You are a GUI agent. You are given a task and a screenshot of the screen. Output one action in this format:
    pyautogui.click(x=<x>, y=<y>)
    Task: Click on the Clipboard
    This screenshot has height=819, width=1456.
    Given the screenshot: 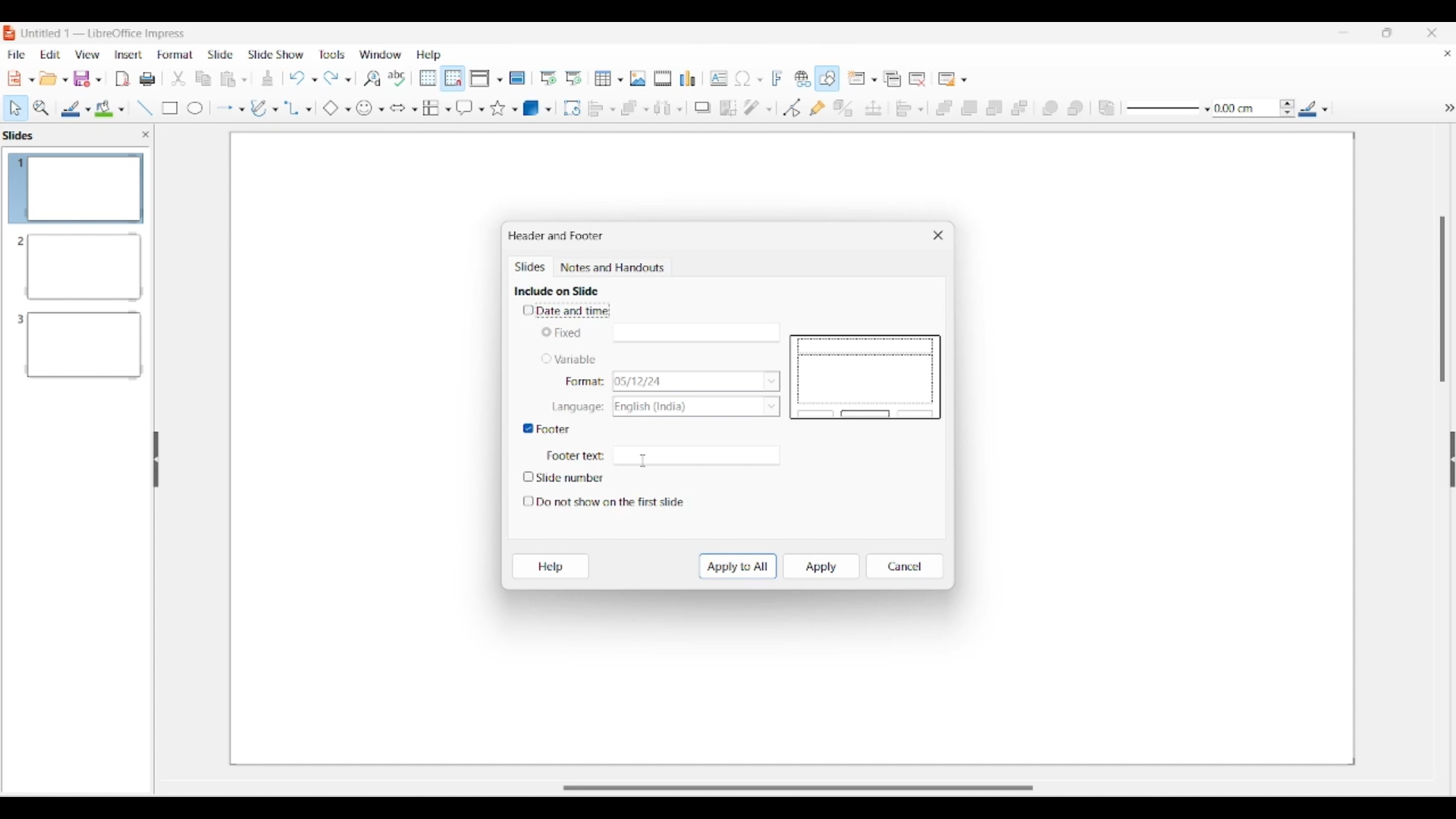 What is the action you would take?
    pyautogui.click(x=229, y=79)
    